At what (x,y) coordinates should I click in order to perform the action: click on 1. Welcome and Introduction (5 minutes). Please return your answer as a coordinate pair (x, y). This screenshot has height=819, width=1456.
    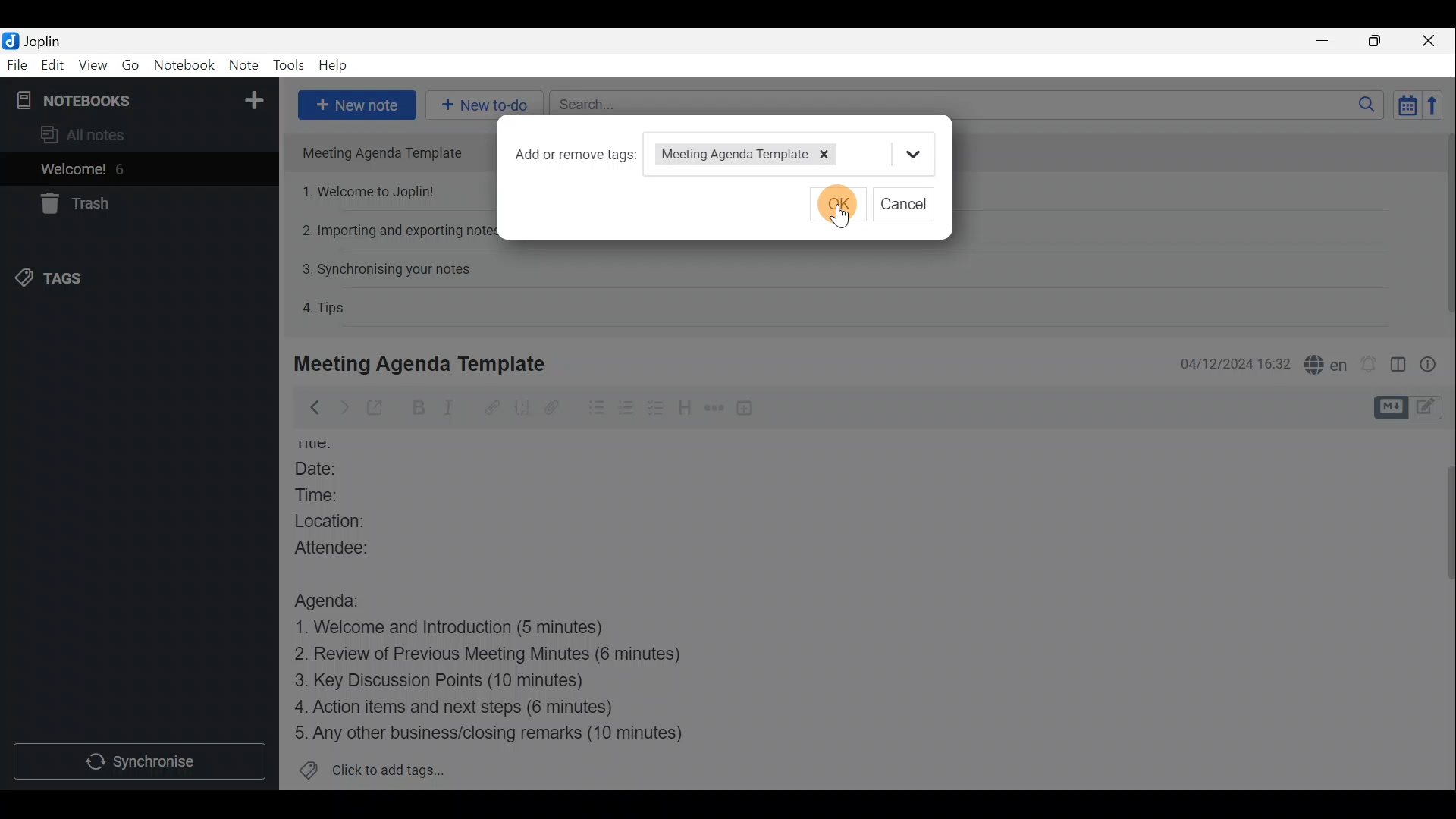
    Looking at the image, I should click on (474, 629).